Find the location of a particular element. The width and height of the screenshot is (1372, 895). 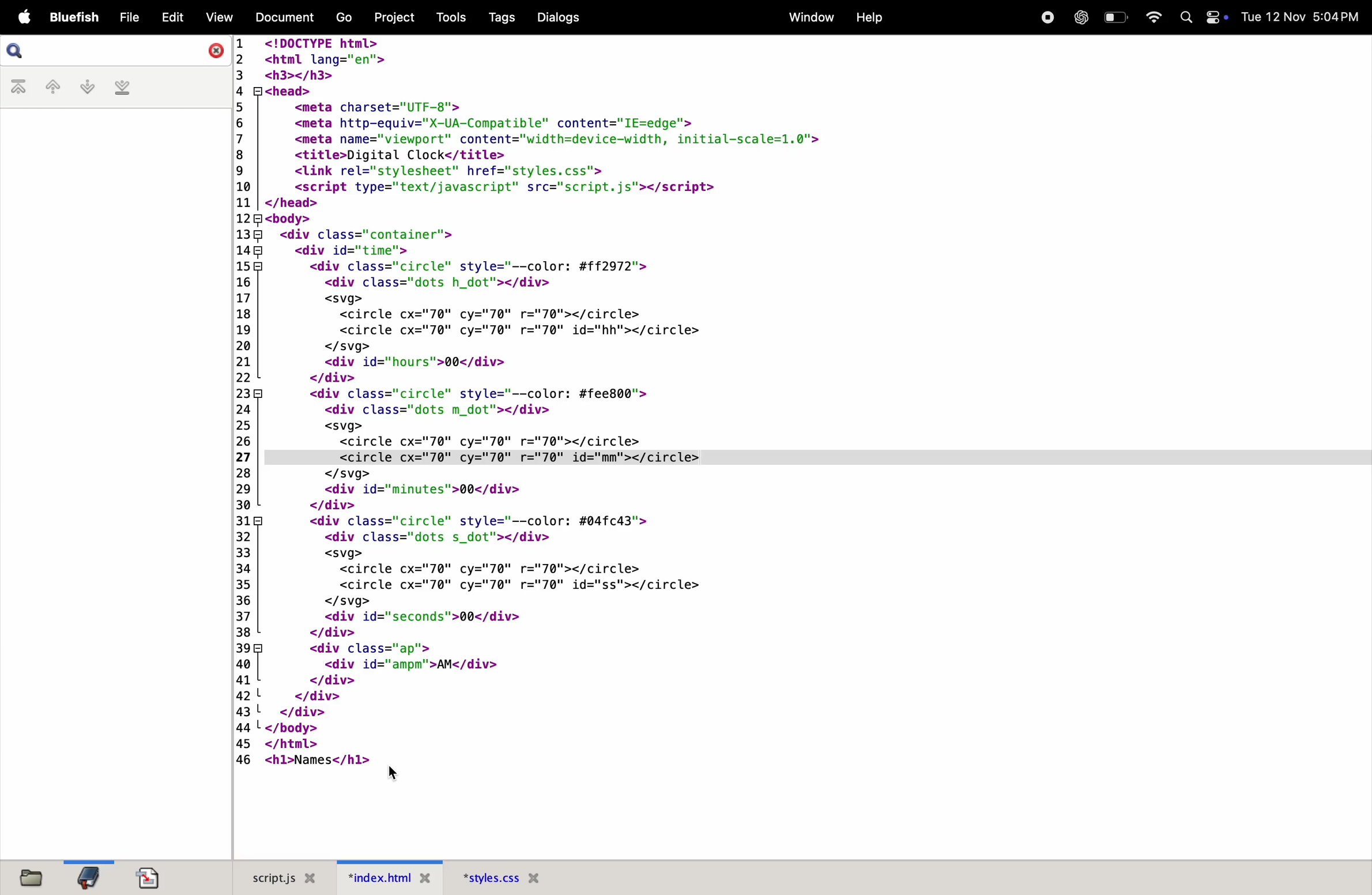

wifi is located at coordinates (1155, 16).